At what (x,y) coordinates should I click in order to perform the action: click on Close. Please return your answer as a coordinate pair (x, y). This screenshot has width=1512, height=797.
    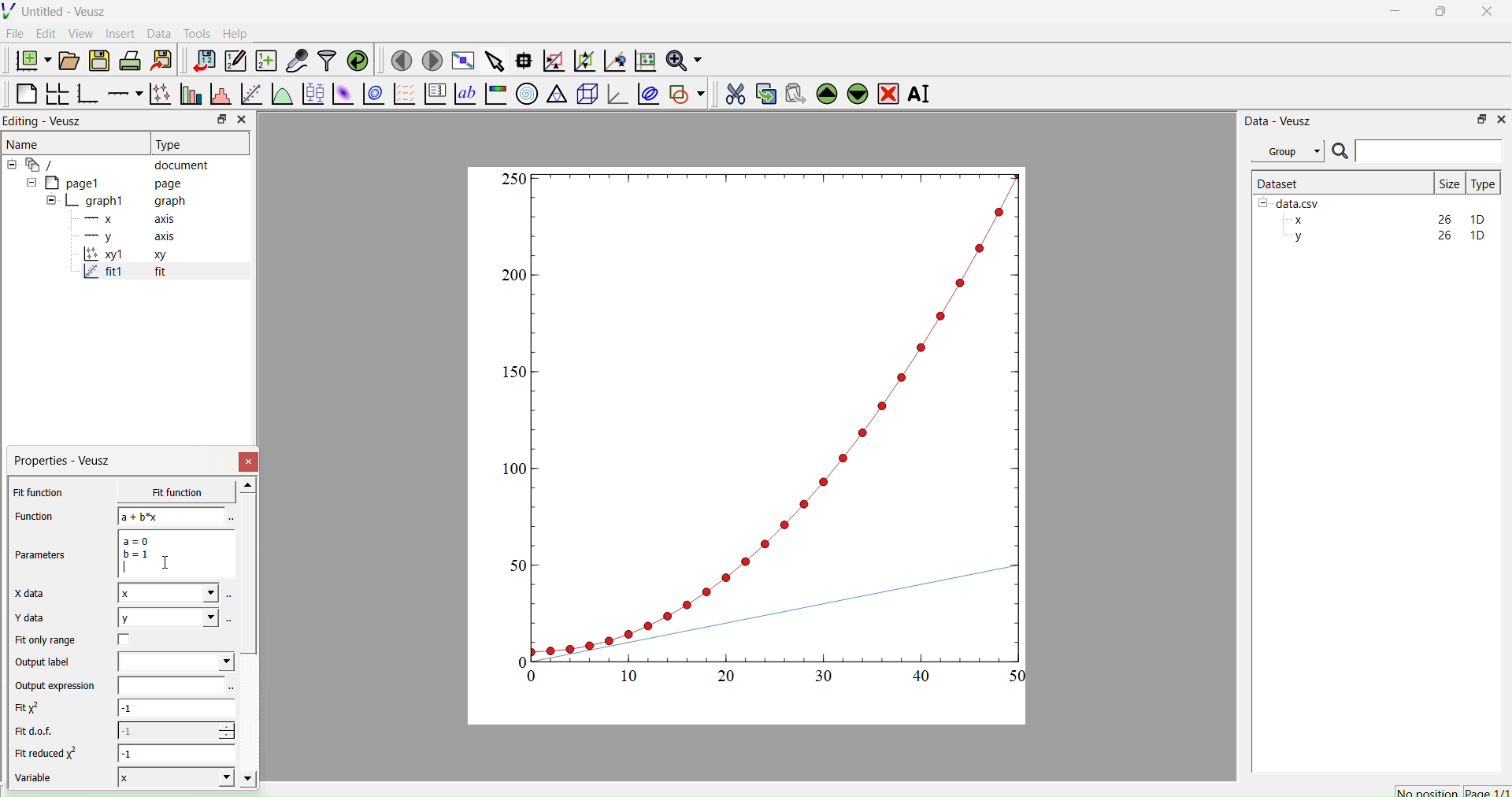
    Looking at the image, I should click on (241, 120).